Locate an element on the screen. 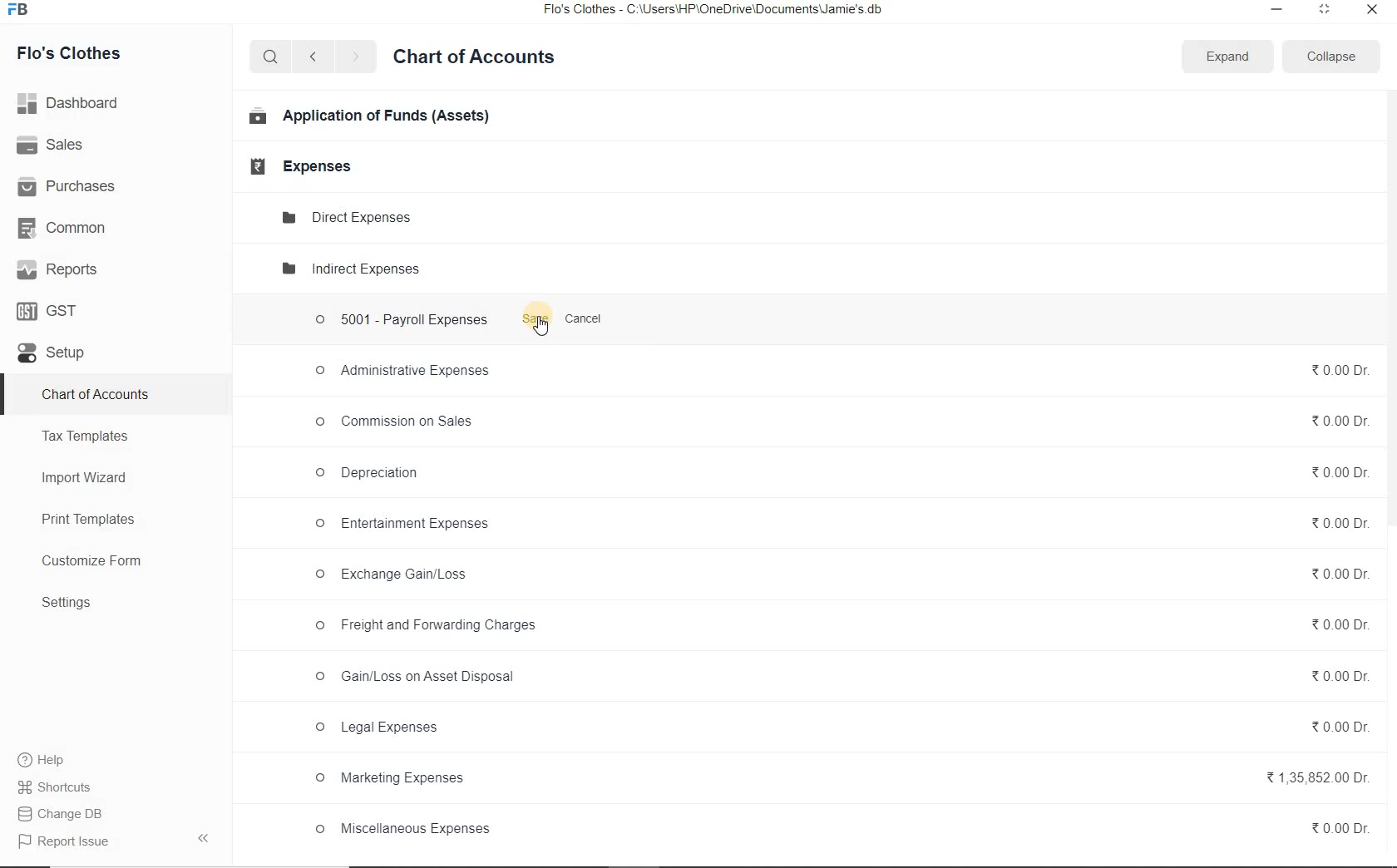 Image resolution: width=1397 pixels, height=868 pixels. Chart of Accounts is located at coordinates (474, 59).